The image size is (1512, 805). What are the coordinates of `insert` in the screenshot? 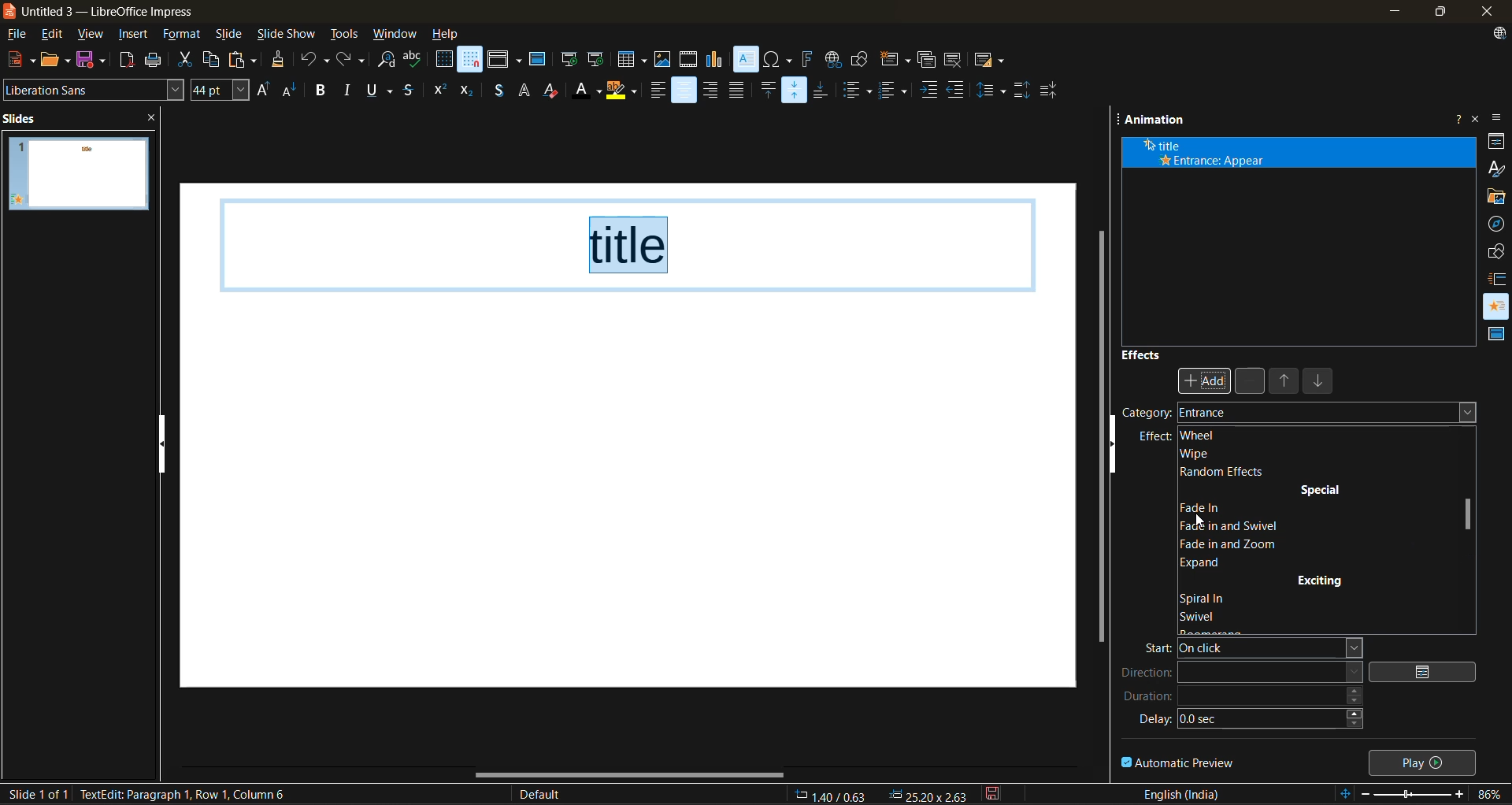 It's located at (137, 36).